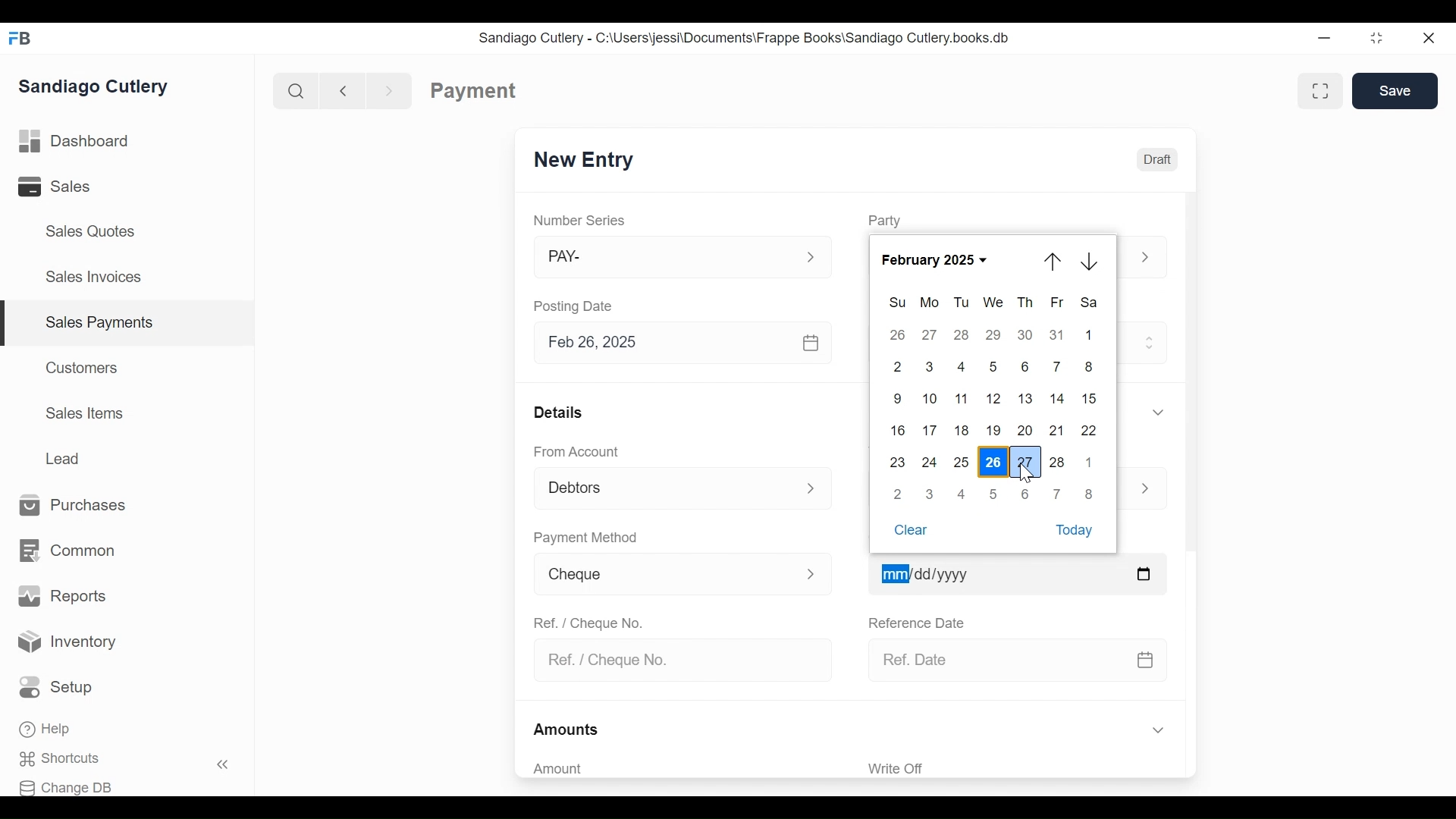 Image resolution: width=1456 pixels, height=819 pixels. What do you see at coordinates (83, 367) in the screenshot?
I see `Customers` at bounding box center [83, 367].